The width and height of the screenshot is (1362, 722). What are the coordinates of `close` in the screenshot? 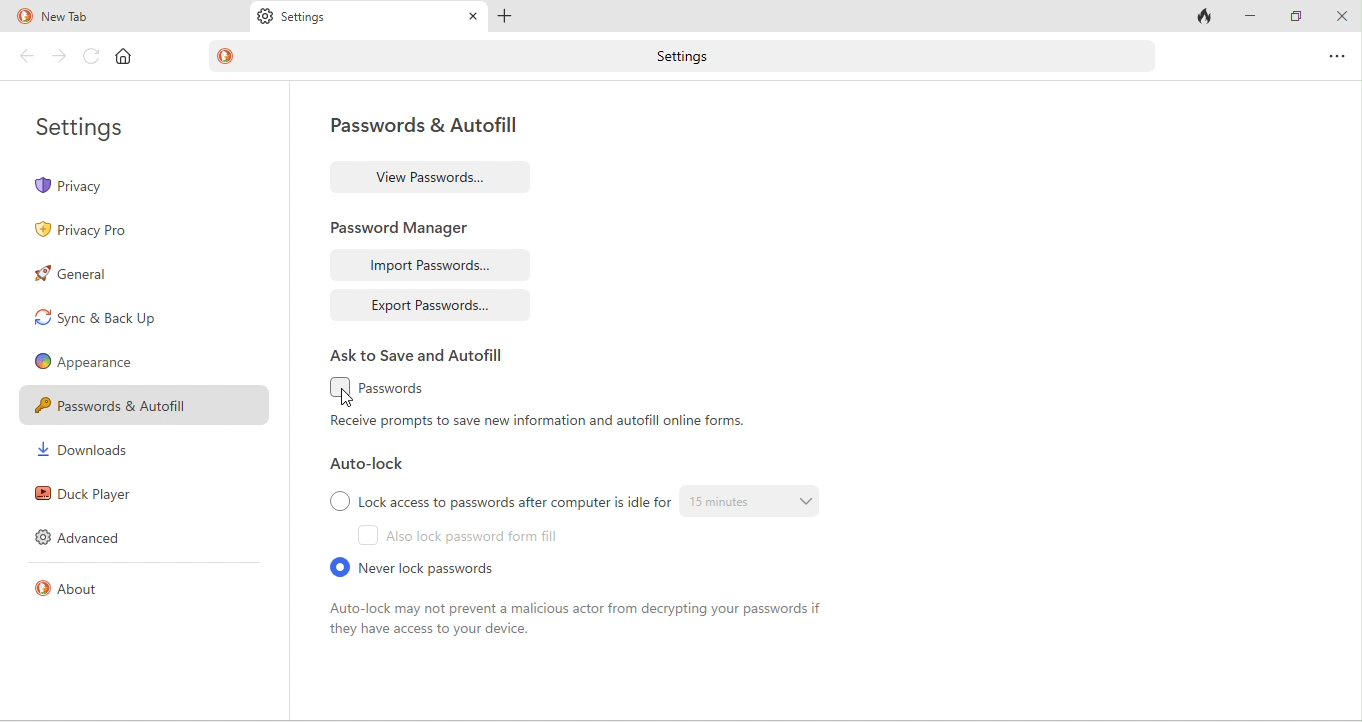 It's located at (470, 18).